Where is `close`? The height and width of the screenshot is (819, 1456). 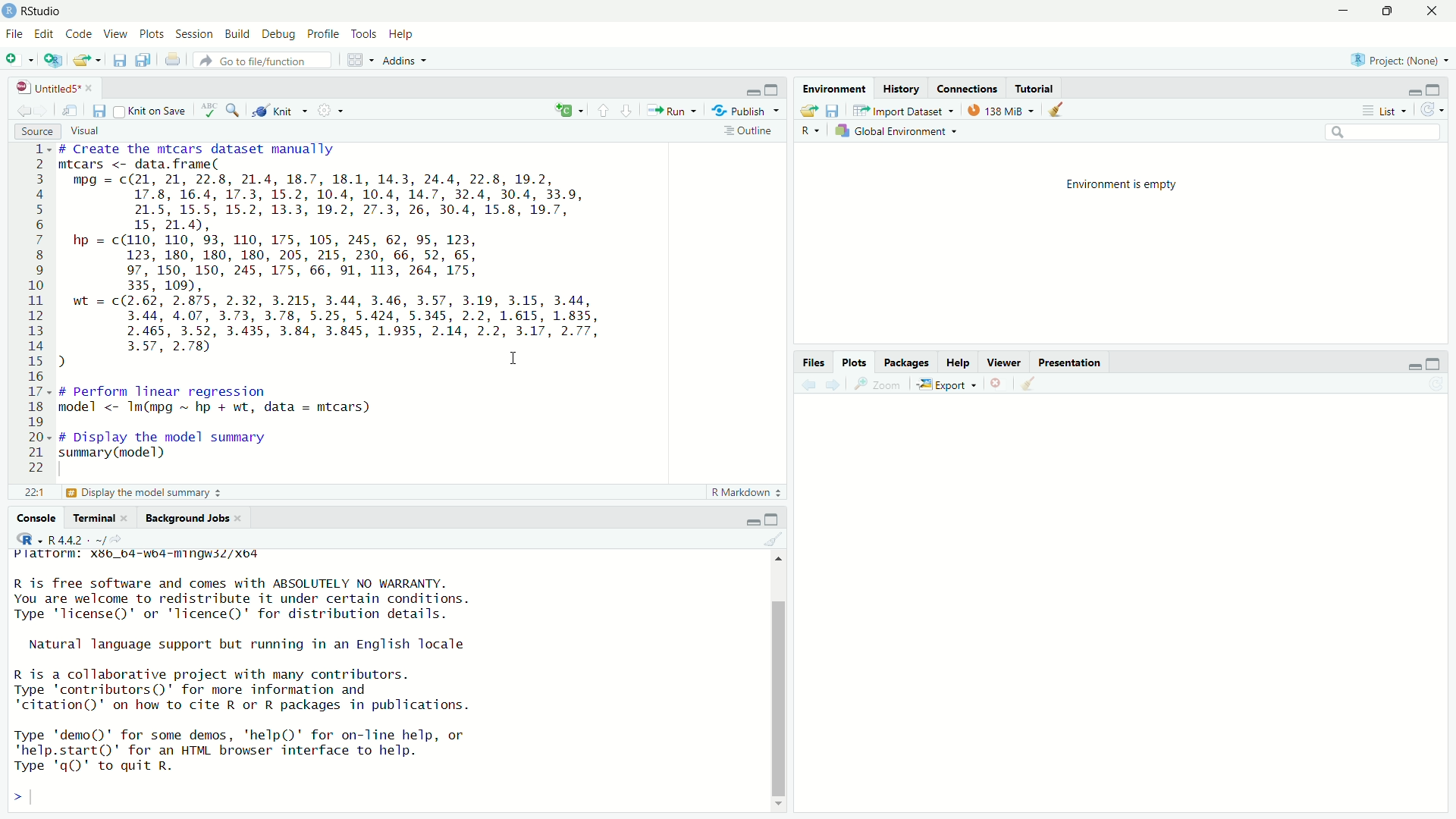
close is located at coordinates (94, 88).